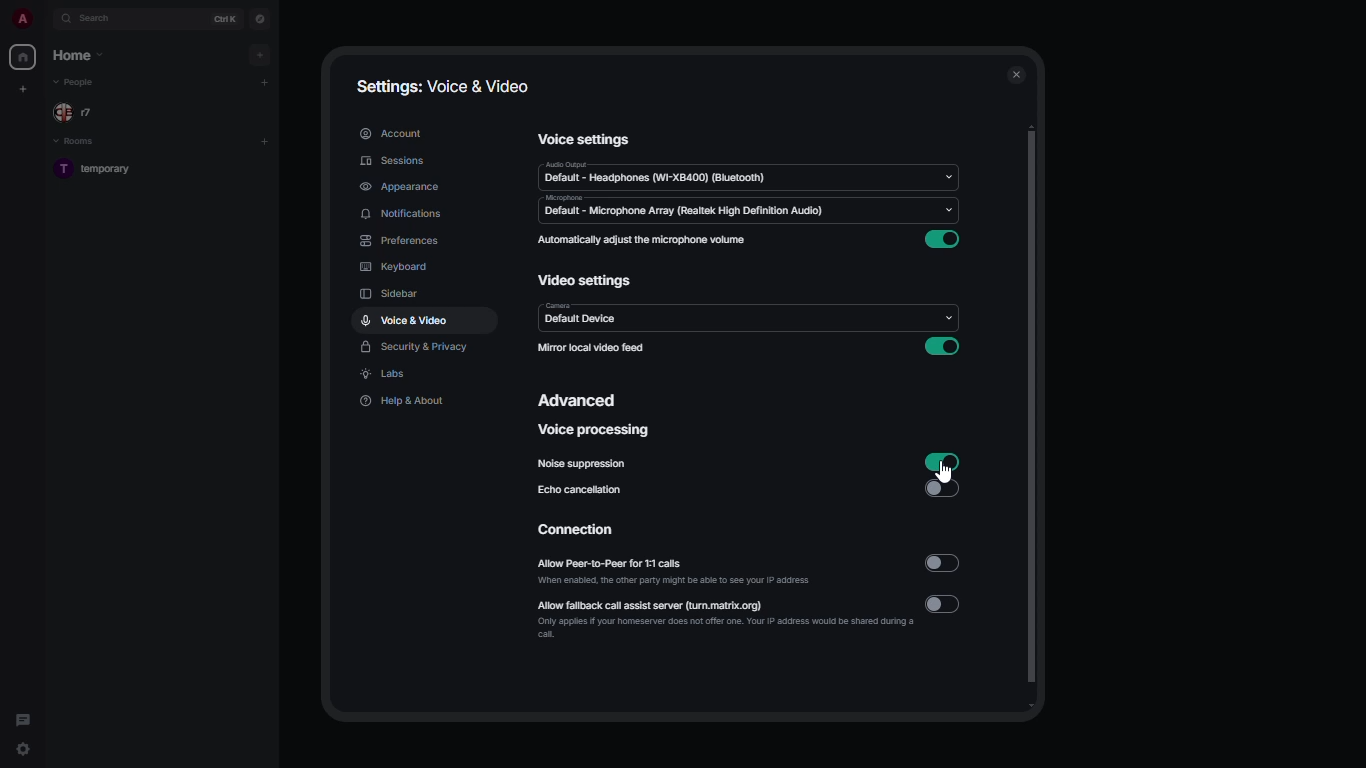  Describe the element at coordinates (48, 19) in the screenshot. I see `expand` at that location.